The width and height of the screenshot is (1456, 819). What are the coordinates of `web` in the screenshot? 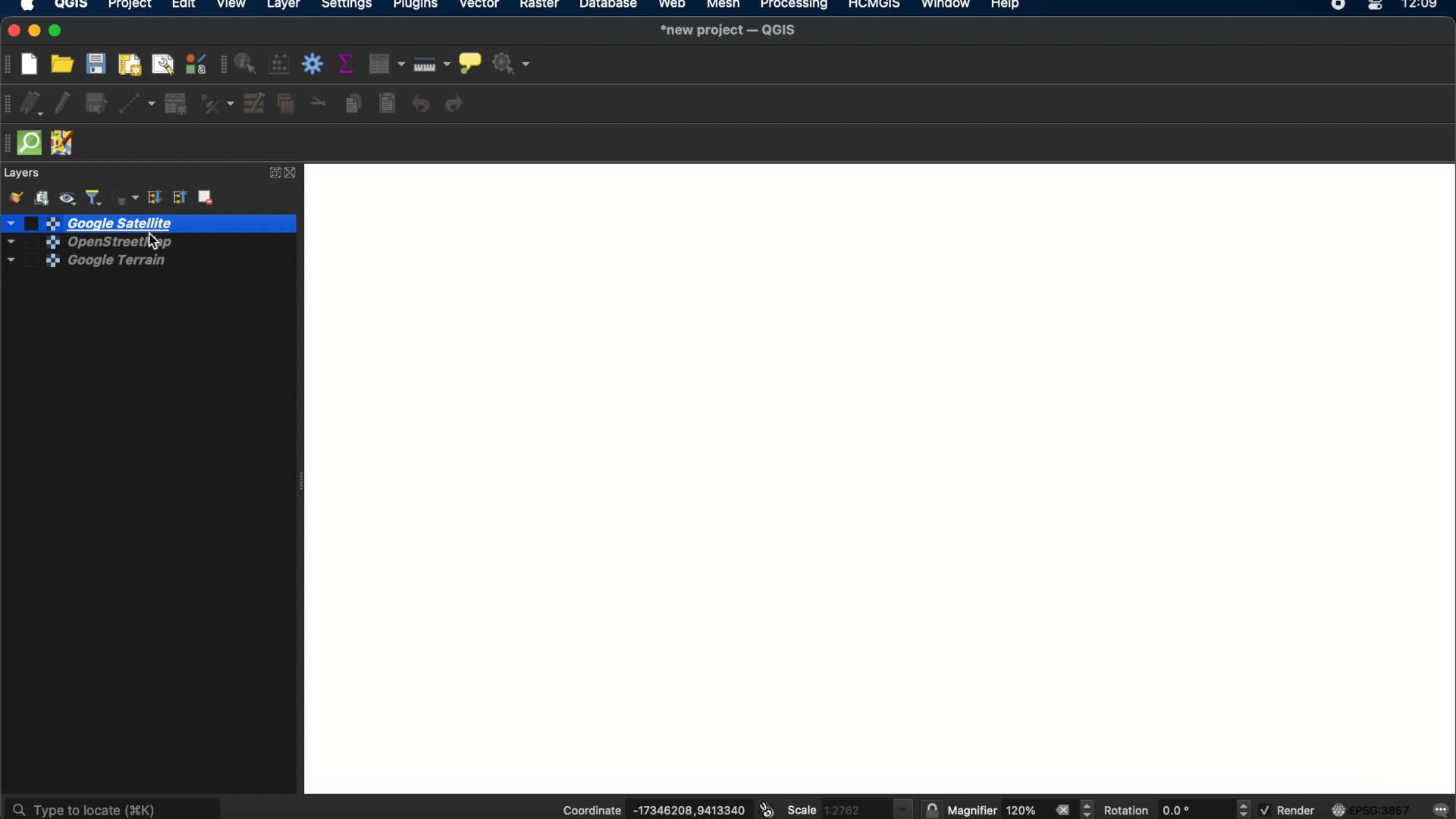 It's located at (673, 6).